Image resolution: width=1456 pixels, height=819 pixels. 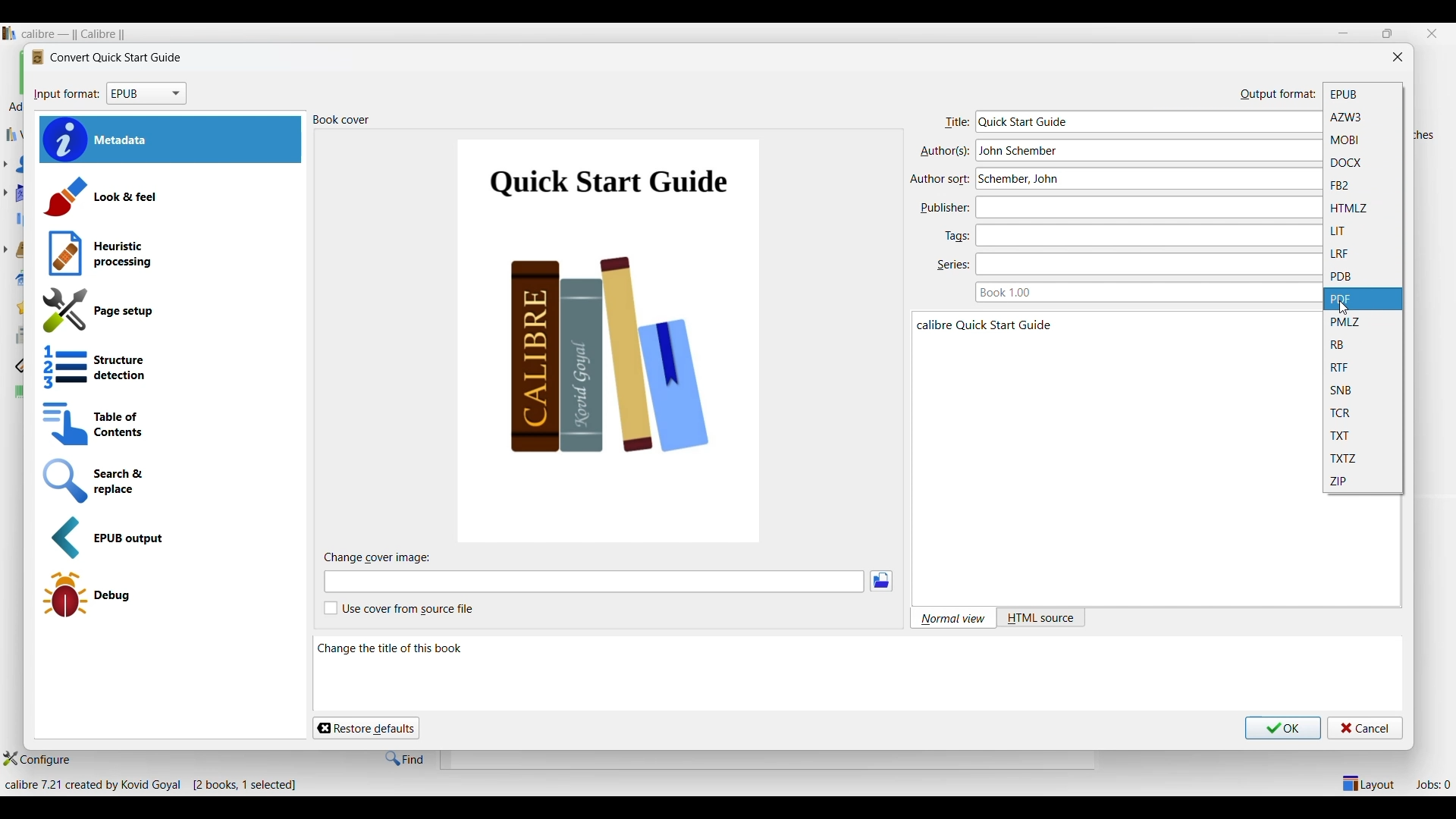 What do you see at coordinates (1147, 292) in the screenshot?
I see `Type in book series` at bounding box center [1147, 292].